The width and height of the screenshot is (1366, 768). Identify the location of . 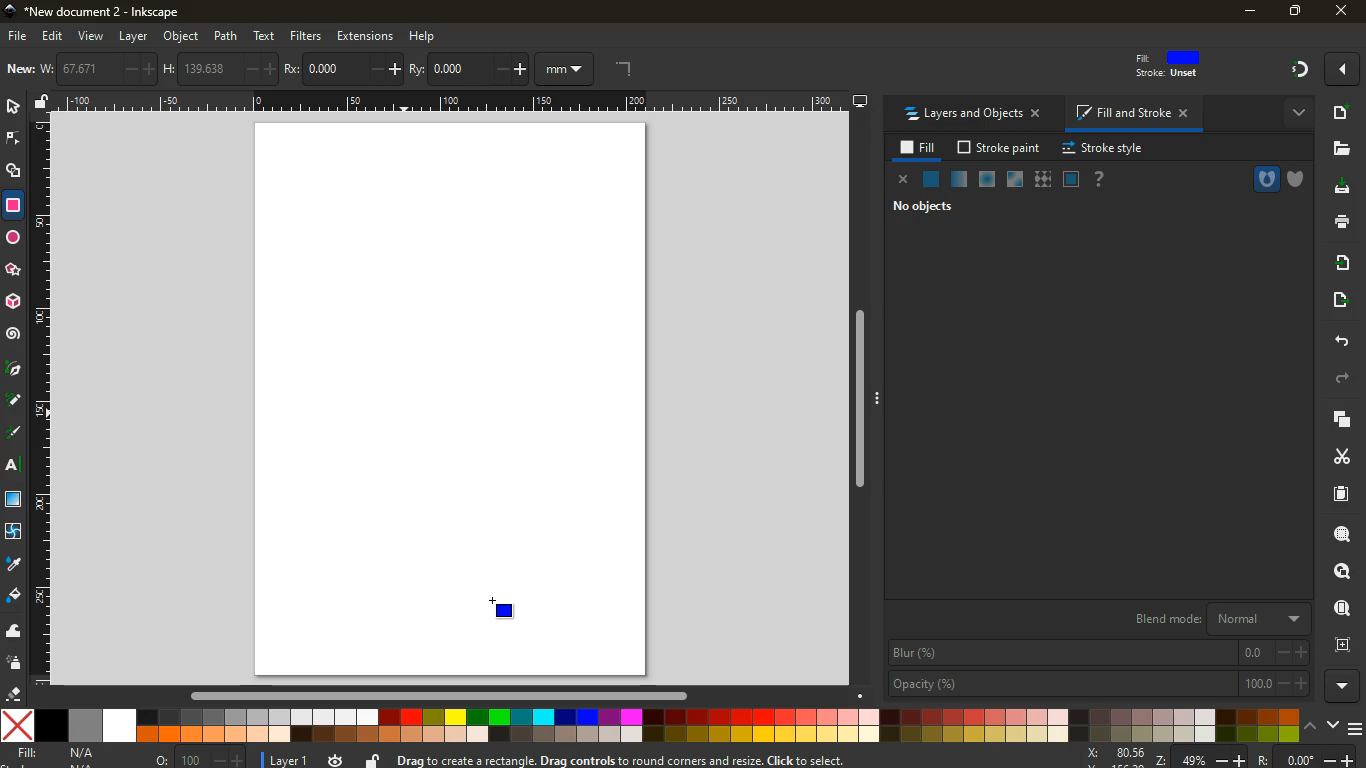
(1338, 71).